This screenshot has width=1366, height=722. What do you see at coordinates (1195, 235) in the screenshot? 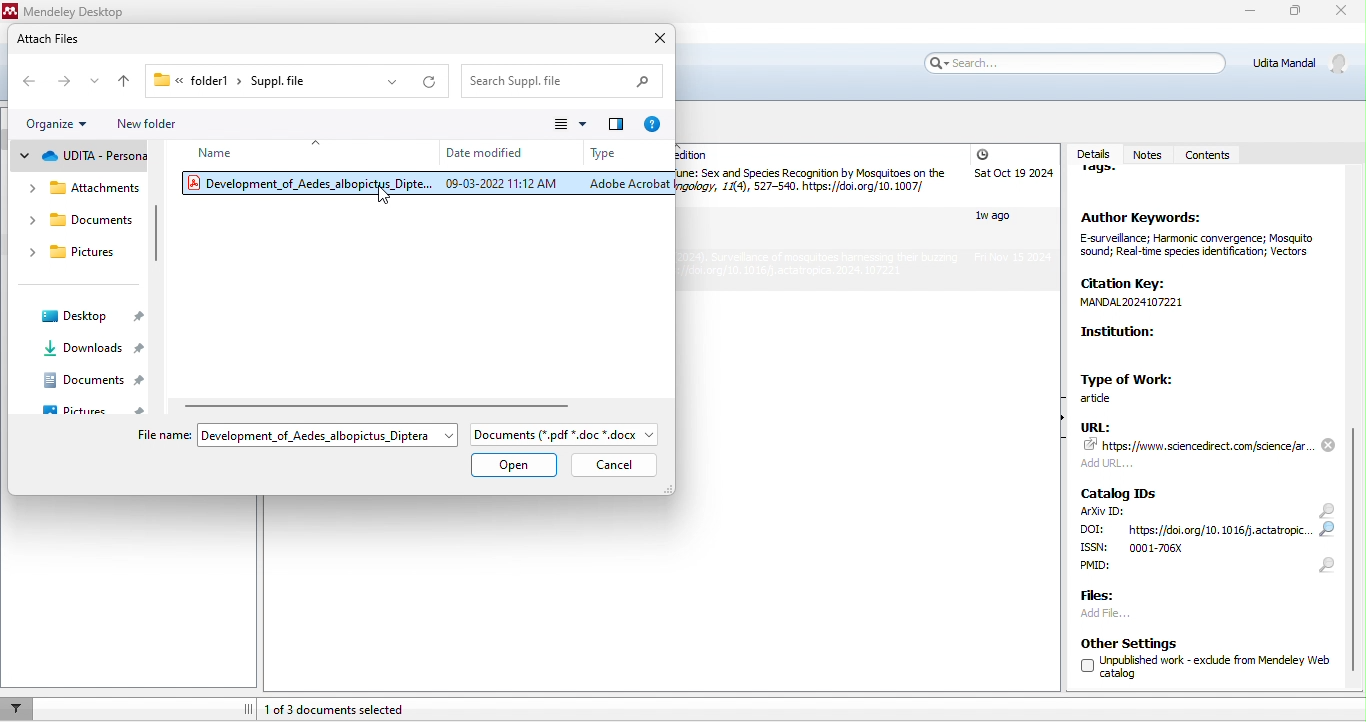
I see `Author Keywords:
E-surveilance; Harmonic convergence; Mosquito
‘sound; Real-time species identification; Vectors` at bounding box center [1195, 235].